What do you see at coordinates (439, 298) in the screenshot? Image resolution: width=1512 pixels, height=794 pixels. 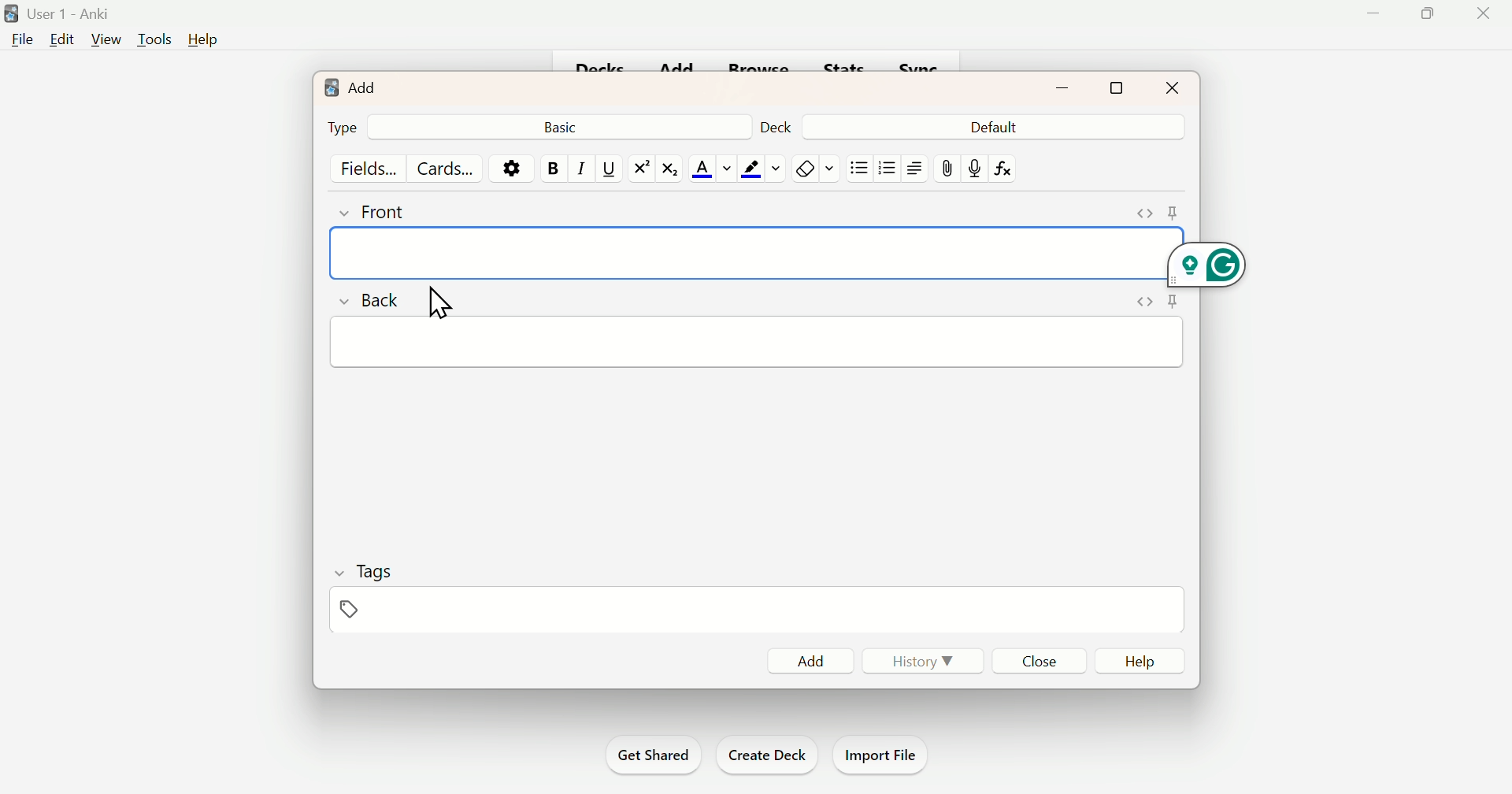 I see `cursor` at bounding box center [439, 298].